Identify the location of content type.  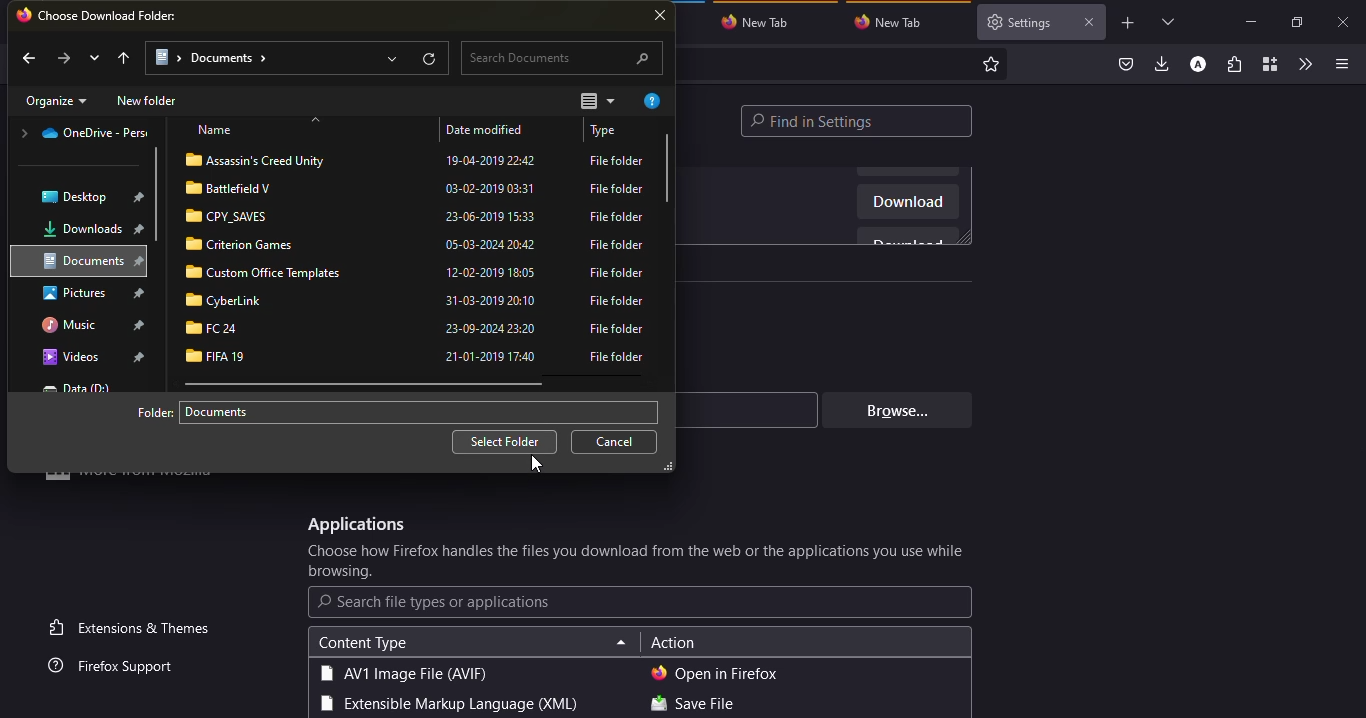
(362, 643).